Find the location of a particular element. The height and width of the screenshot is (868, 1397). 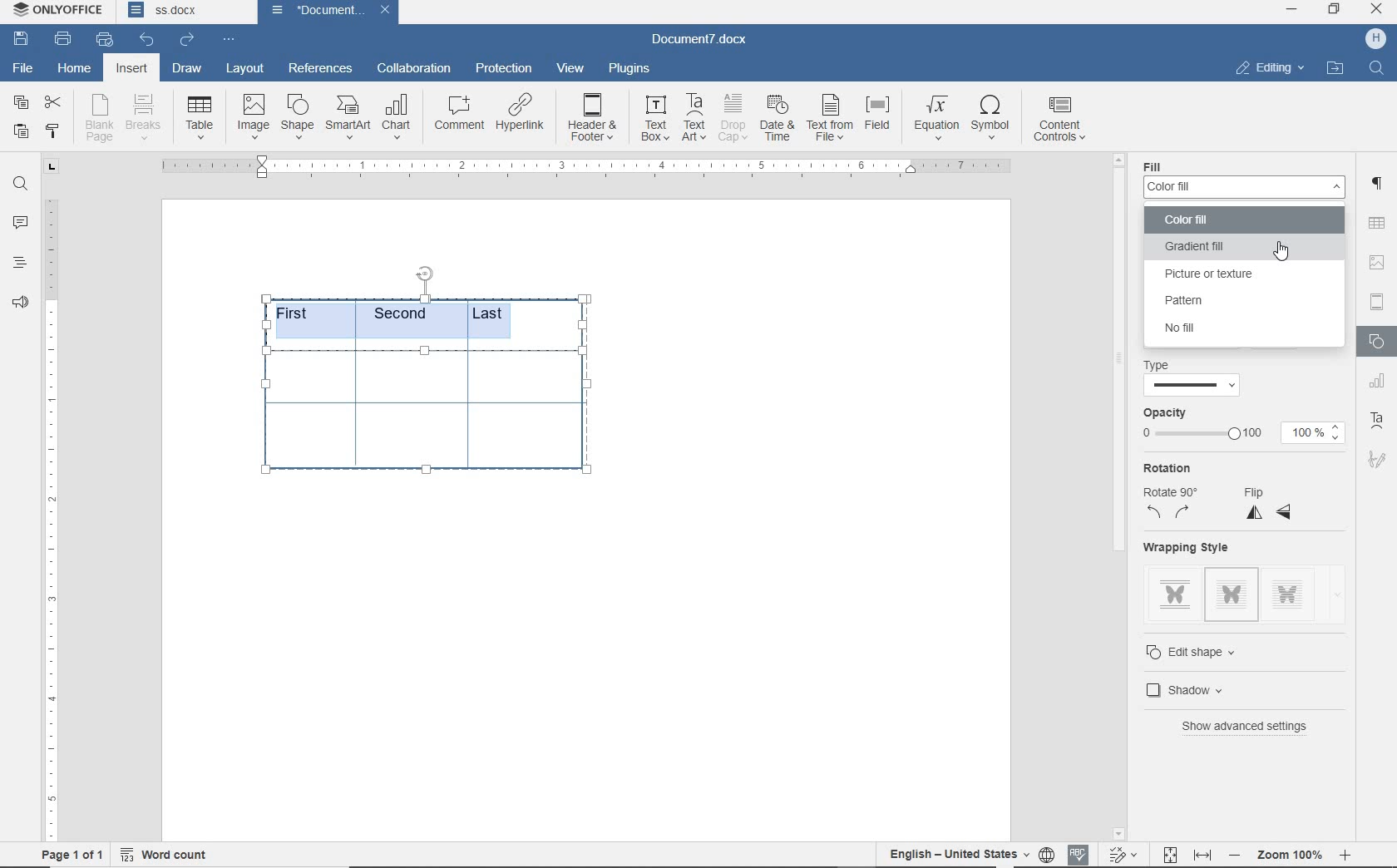

tab group is located at coordinates (49, 167).